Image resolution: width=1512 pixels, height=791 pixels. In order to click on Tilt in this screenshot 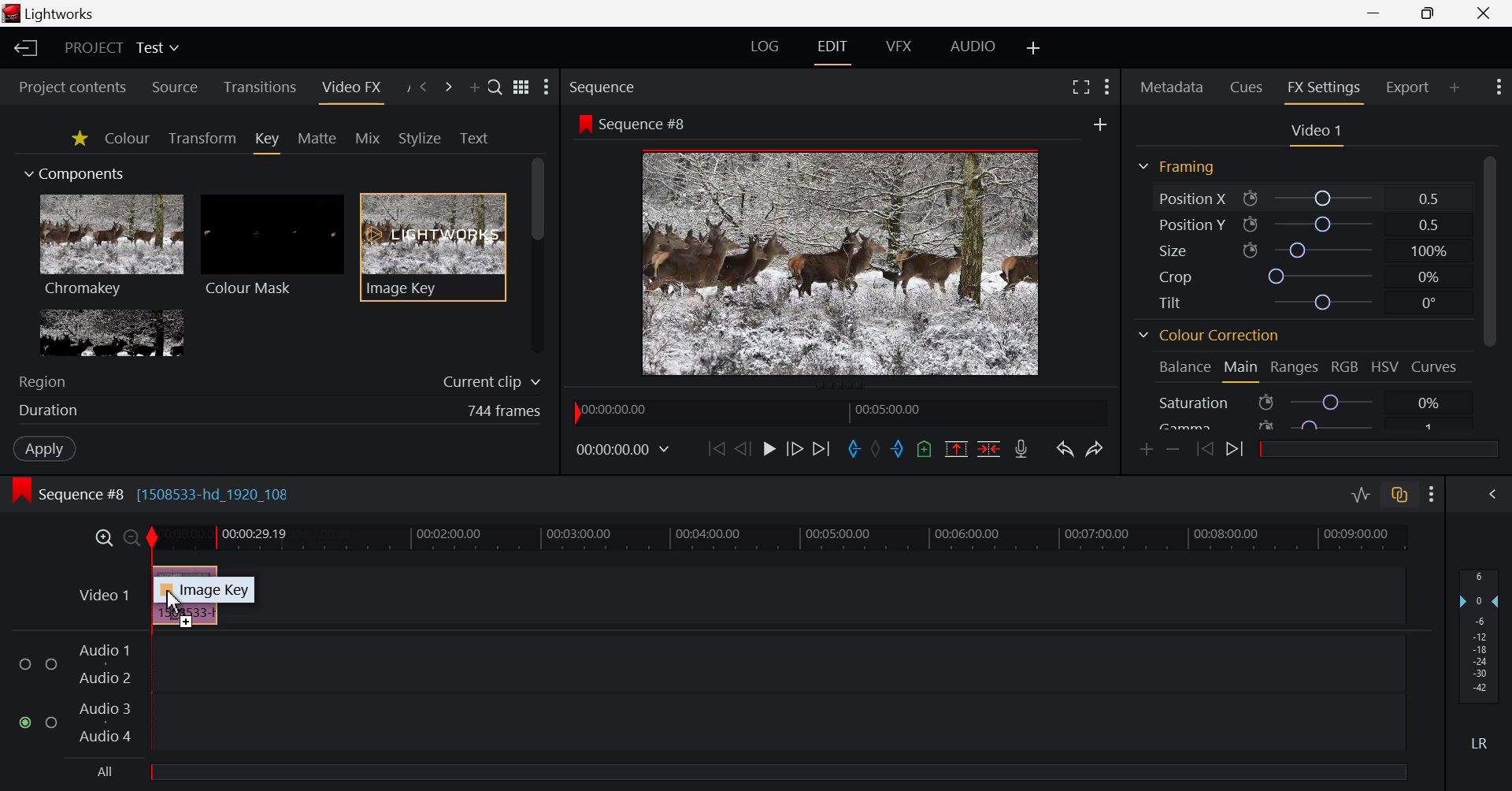, I will do `click(1167, 303)`.